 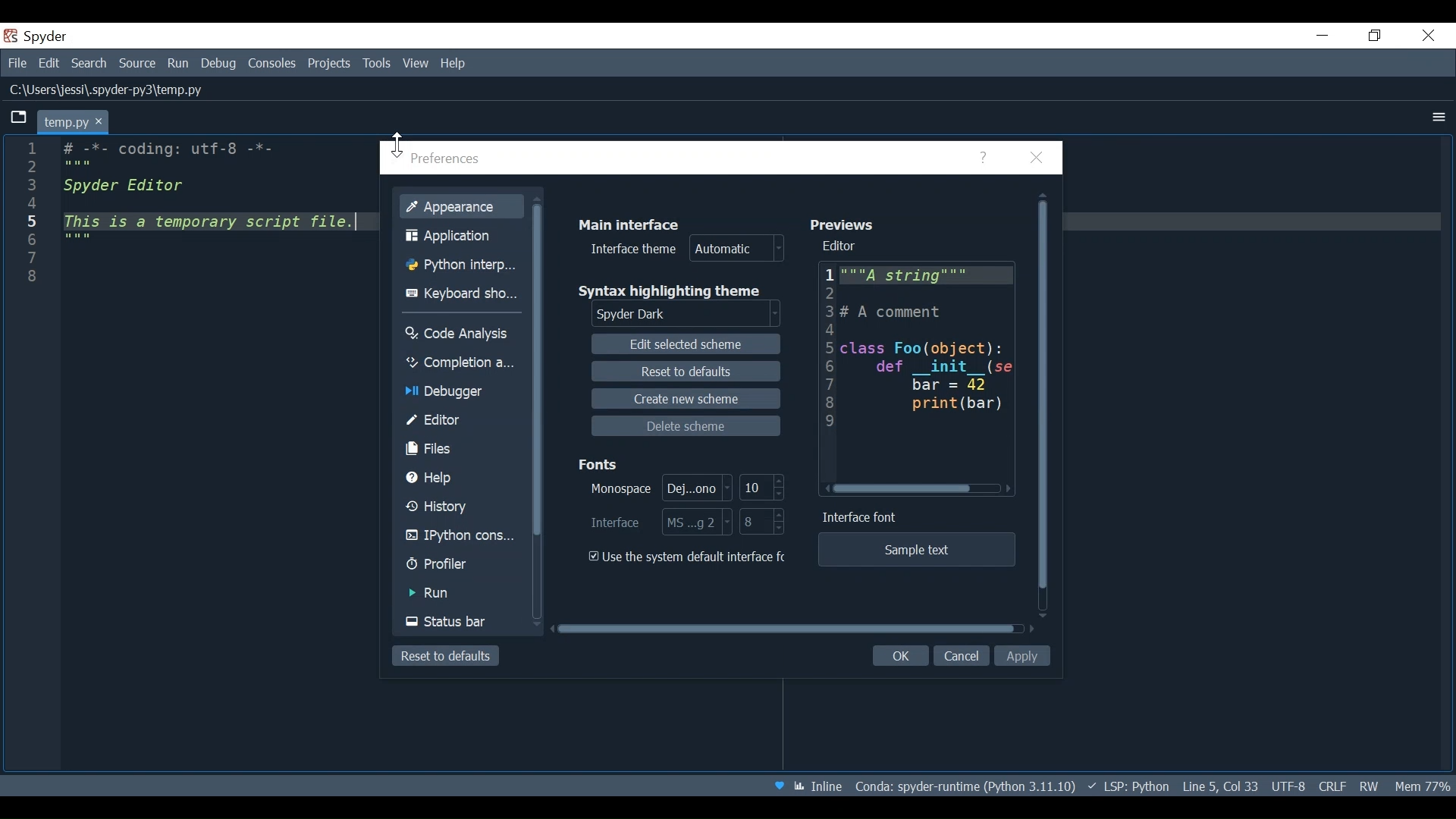 What do you see at coordinates (462, 392) in the screenshot?
I see `Debugger` at bounding box center [462, 392].